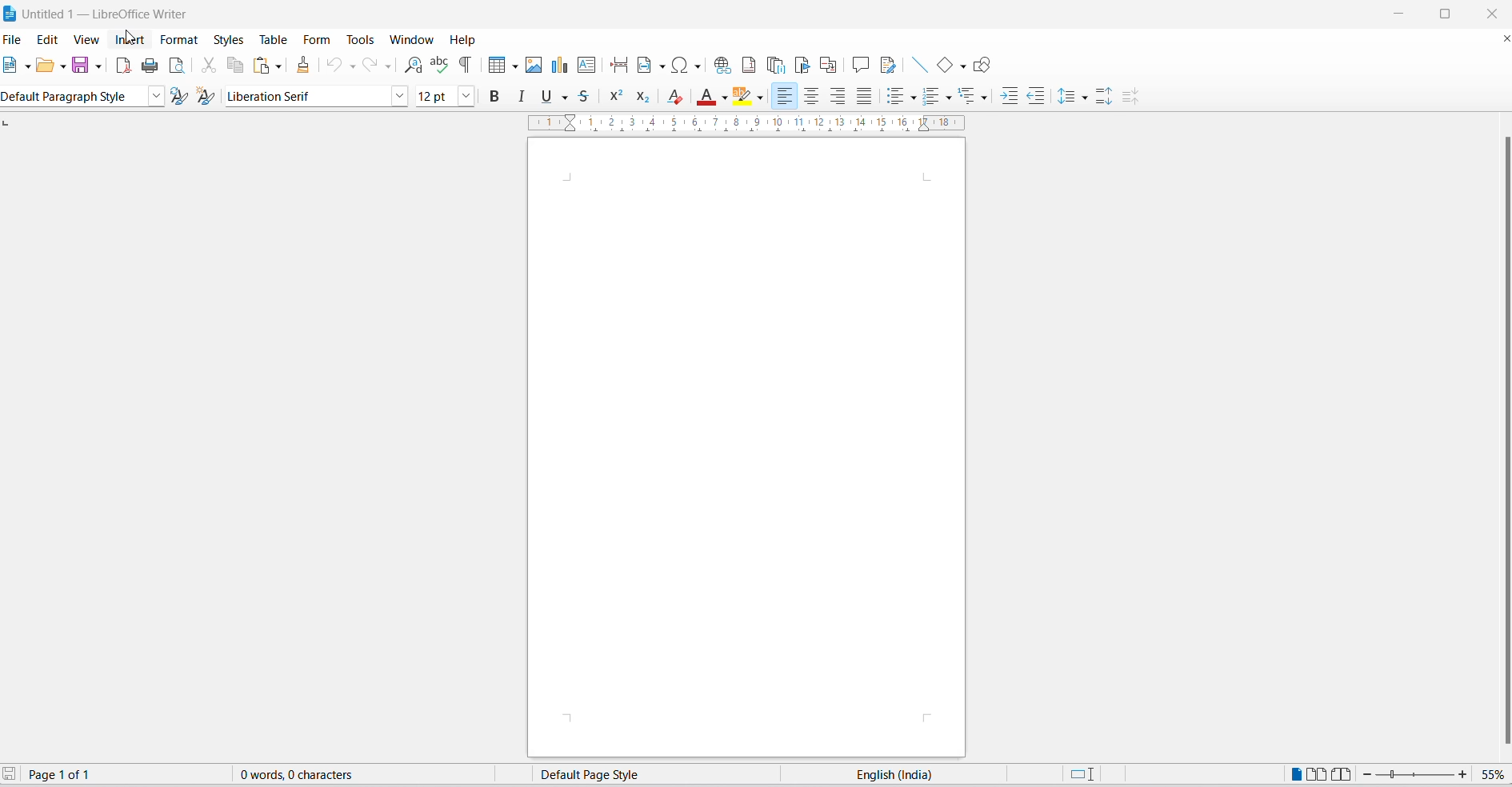  What do you see at coordinates (914, 98) in the screenshot?
I see `toggle unordered list` at bounding box center [914, 98].